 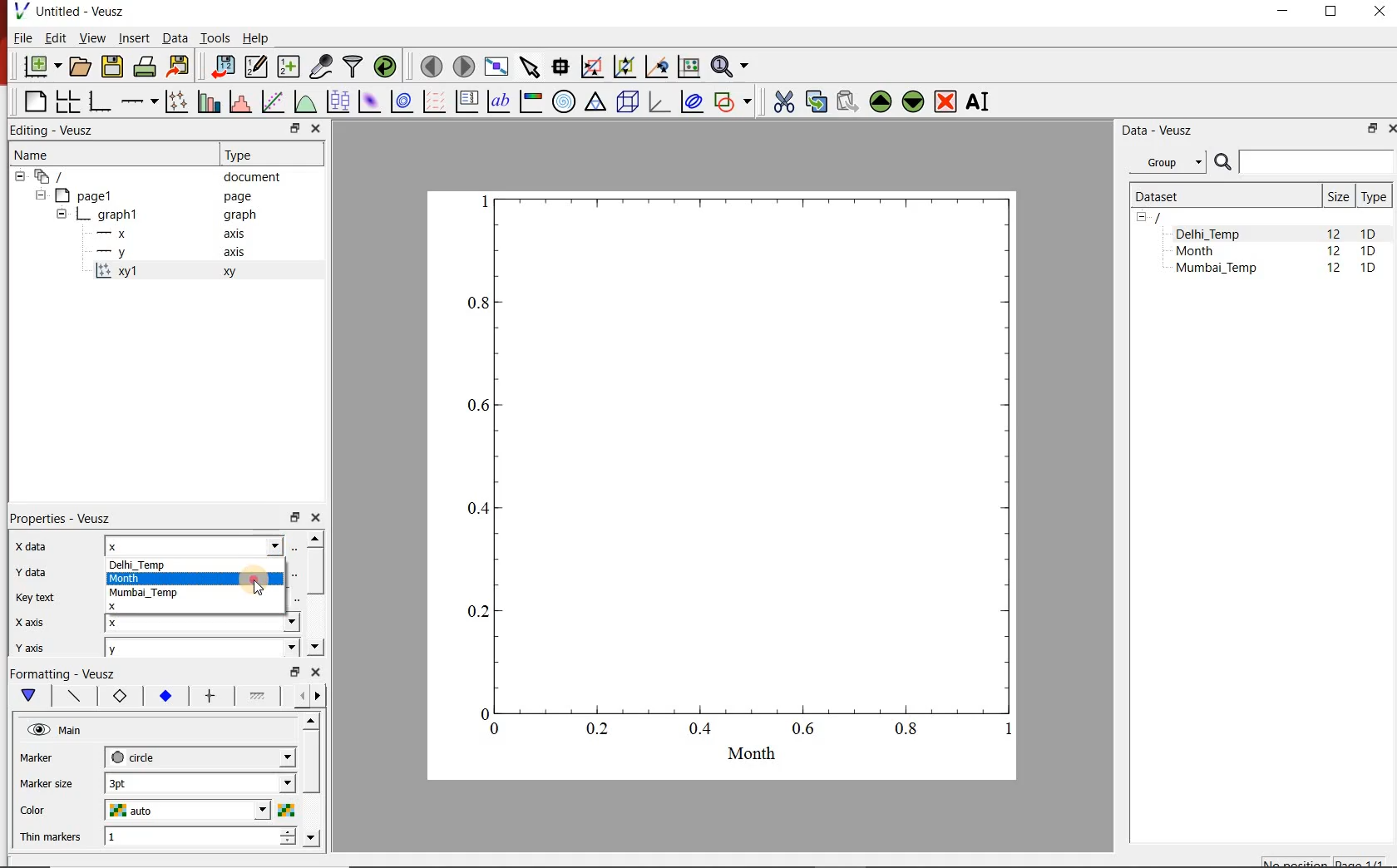 What do you see at coordinates (1368, 269) in the screenshot?
I see `1D` at bounding box center [1368, 269].